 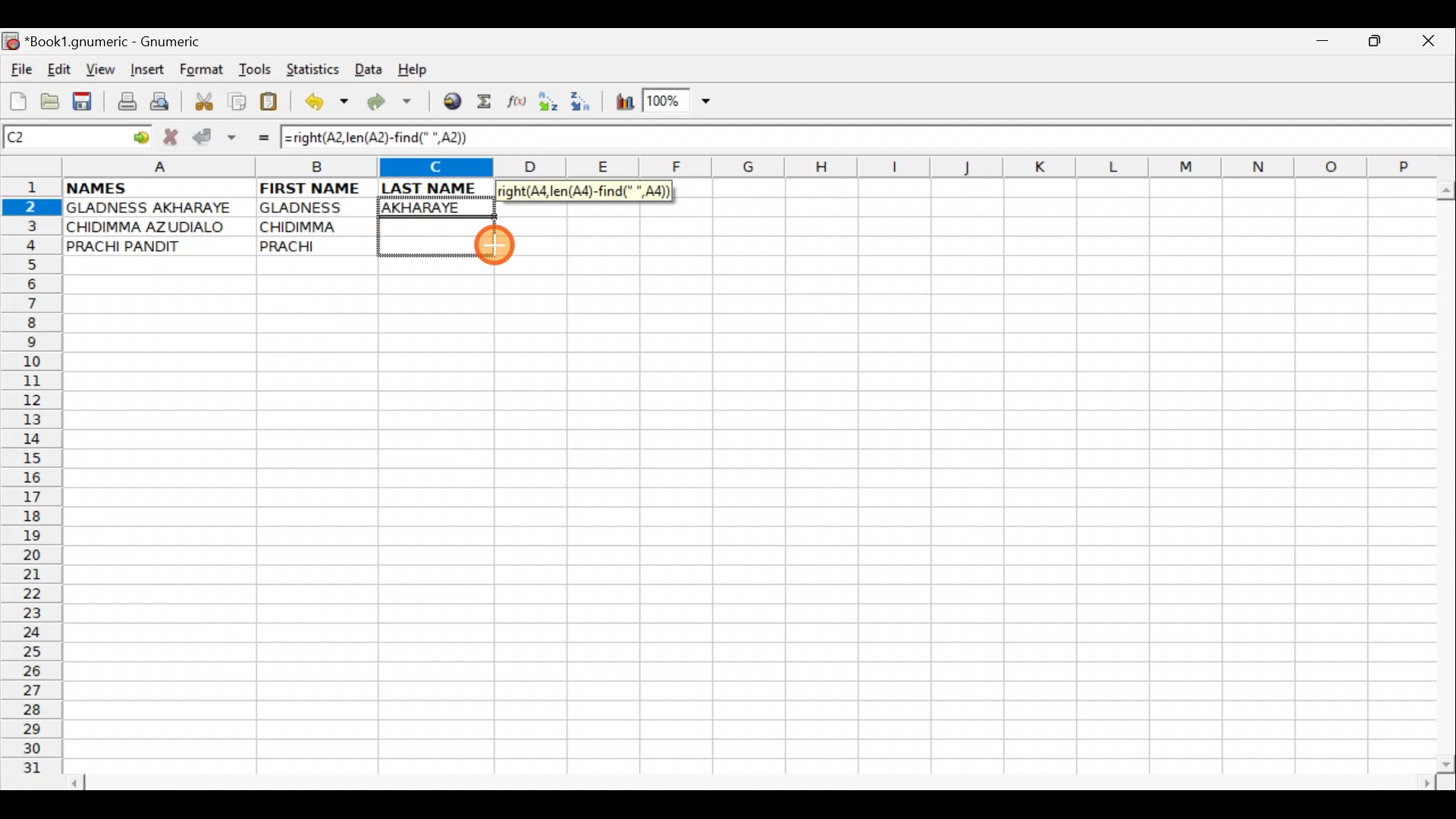 I want to click on Copy selection, so click(x=238, y=101).